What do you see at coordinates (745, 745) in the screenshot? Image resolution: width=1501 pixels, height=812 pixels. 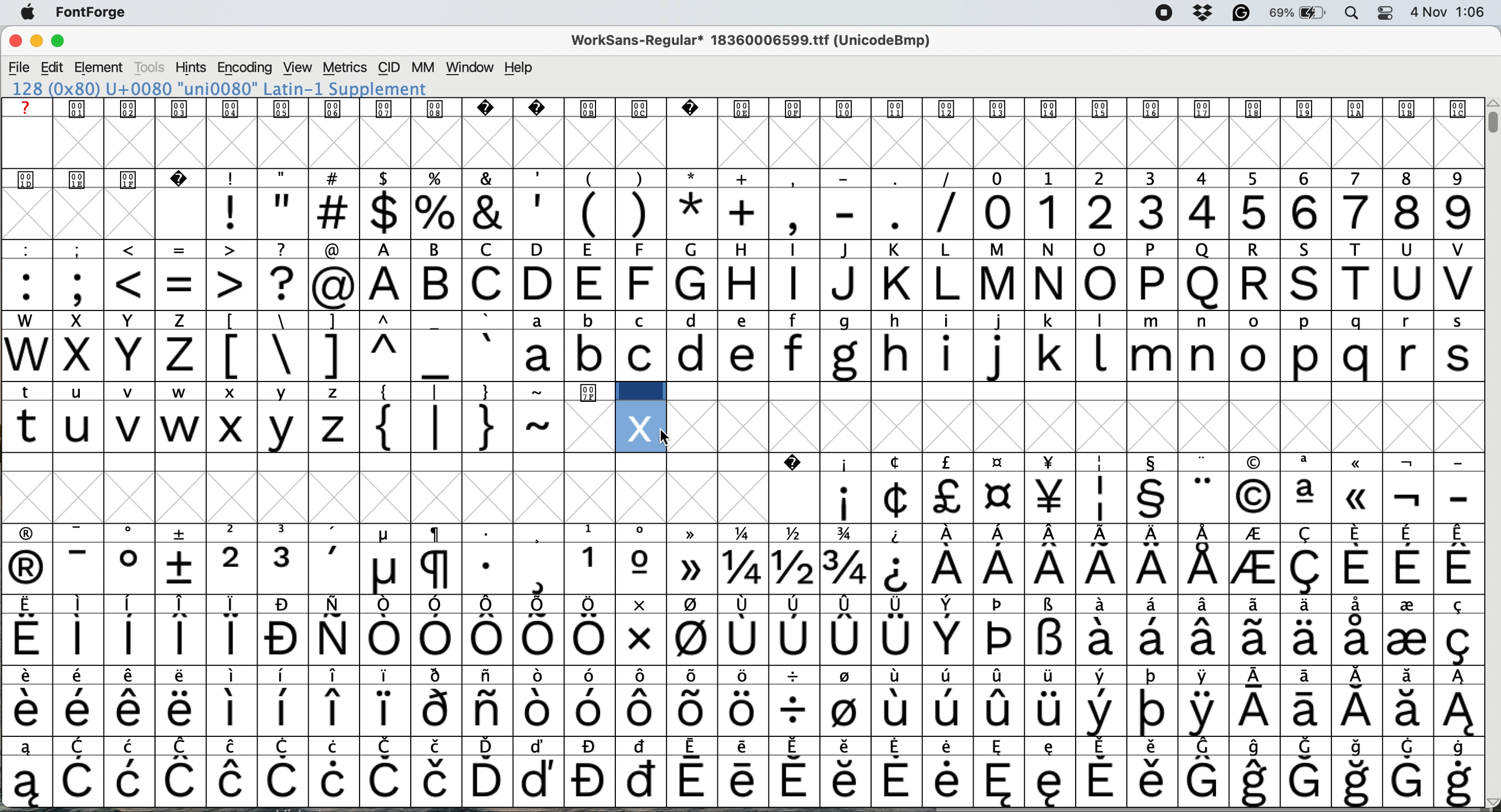 I see `special characters` at bounding box center [745, 745].